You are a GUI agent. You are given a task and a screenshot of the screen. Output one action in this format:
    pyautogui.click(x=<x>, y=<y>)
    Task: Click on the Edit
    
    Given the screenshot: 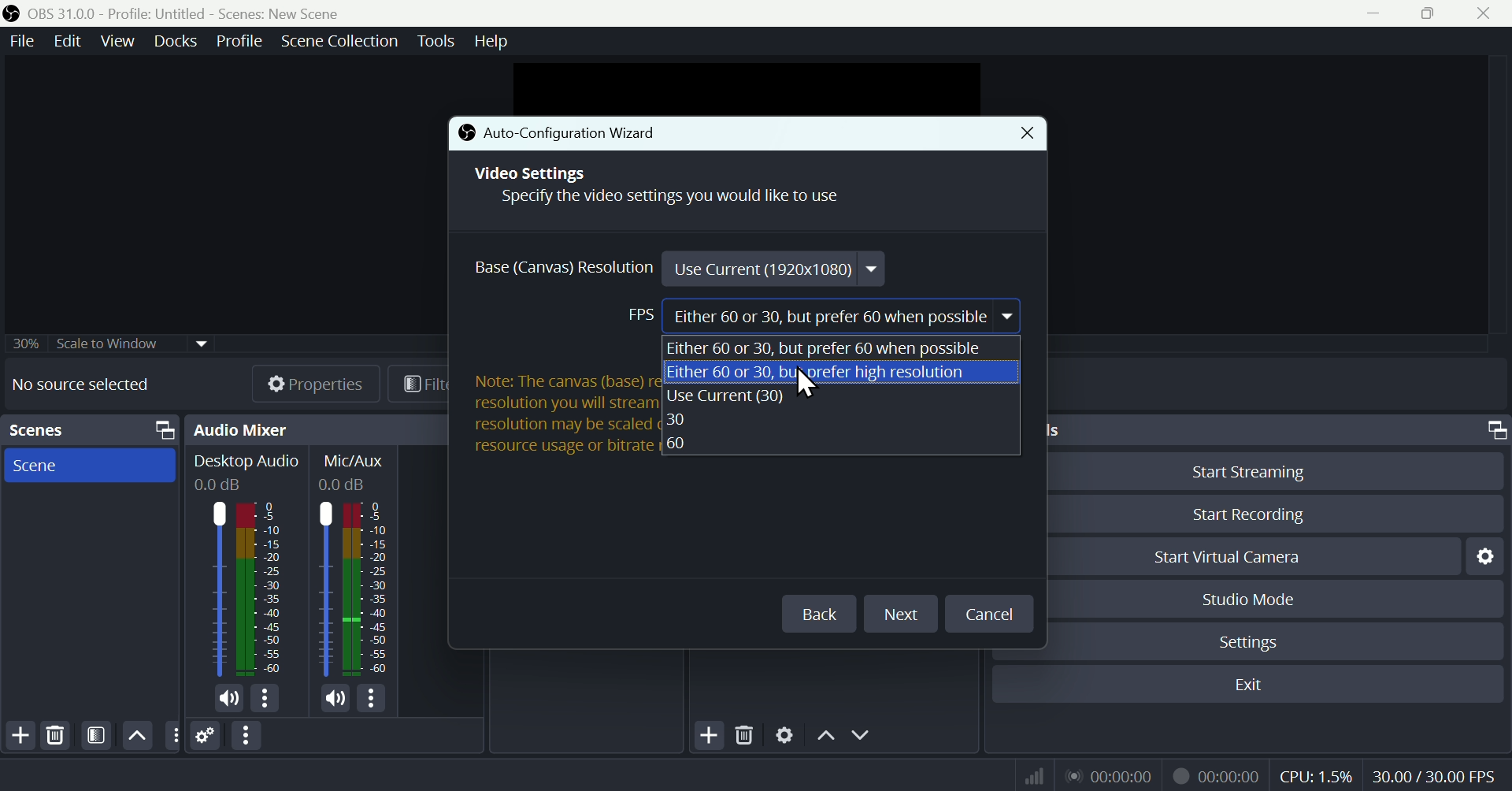 What is the action you would take?
    pyautogui.click(x=69, y=42)
    